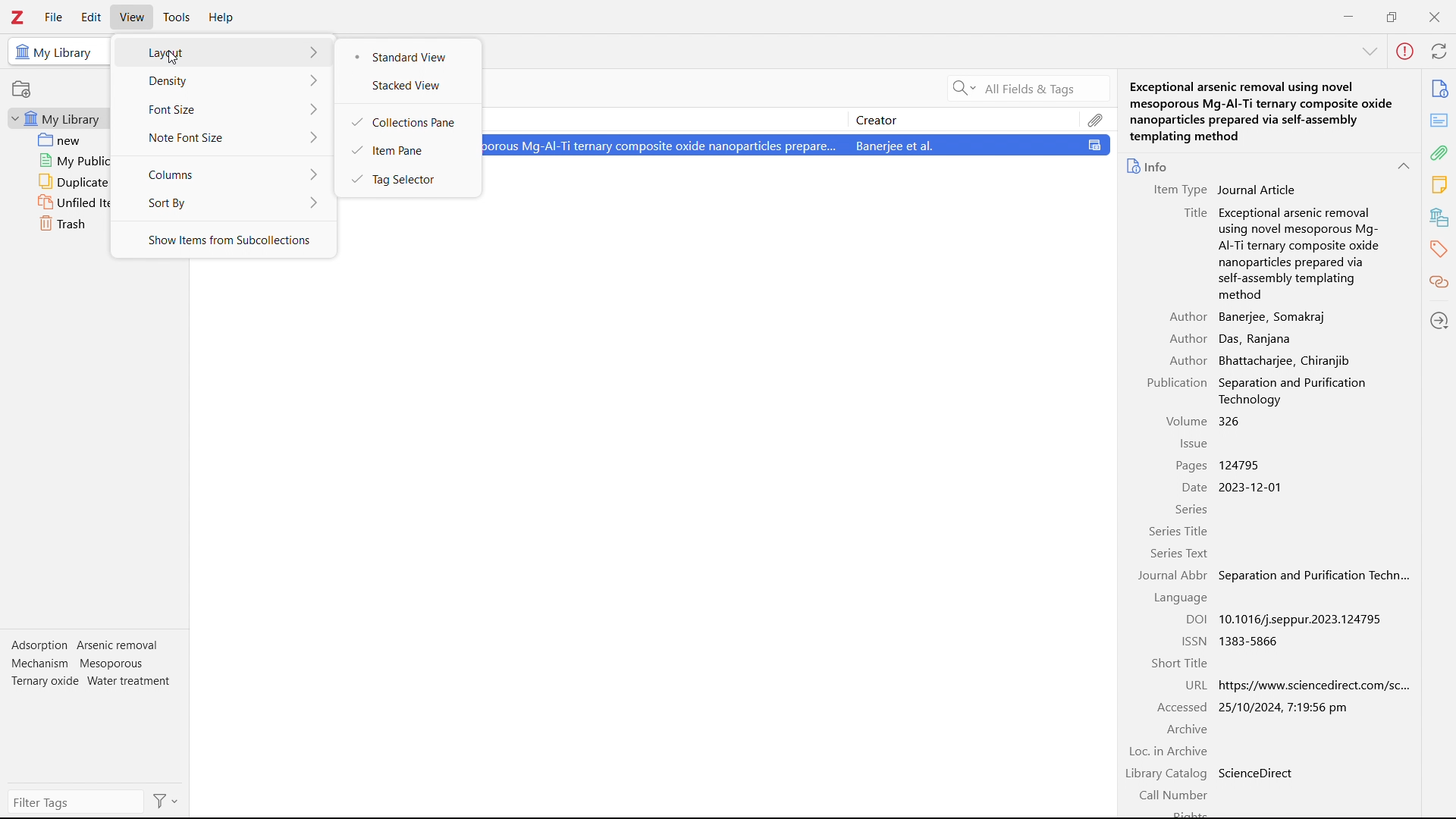  What do you see at coordinates (1282, 359) in the screenshot?
I see `Bhattacharjee, Chiranjib` at bounding box center [1282, 359].